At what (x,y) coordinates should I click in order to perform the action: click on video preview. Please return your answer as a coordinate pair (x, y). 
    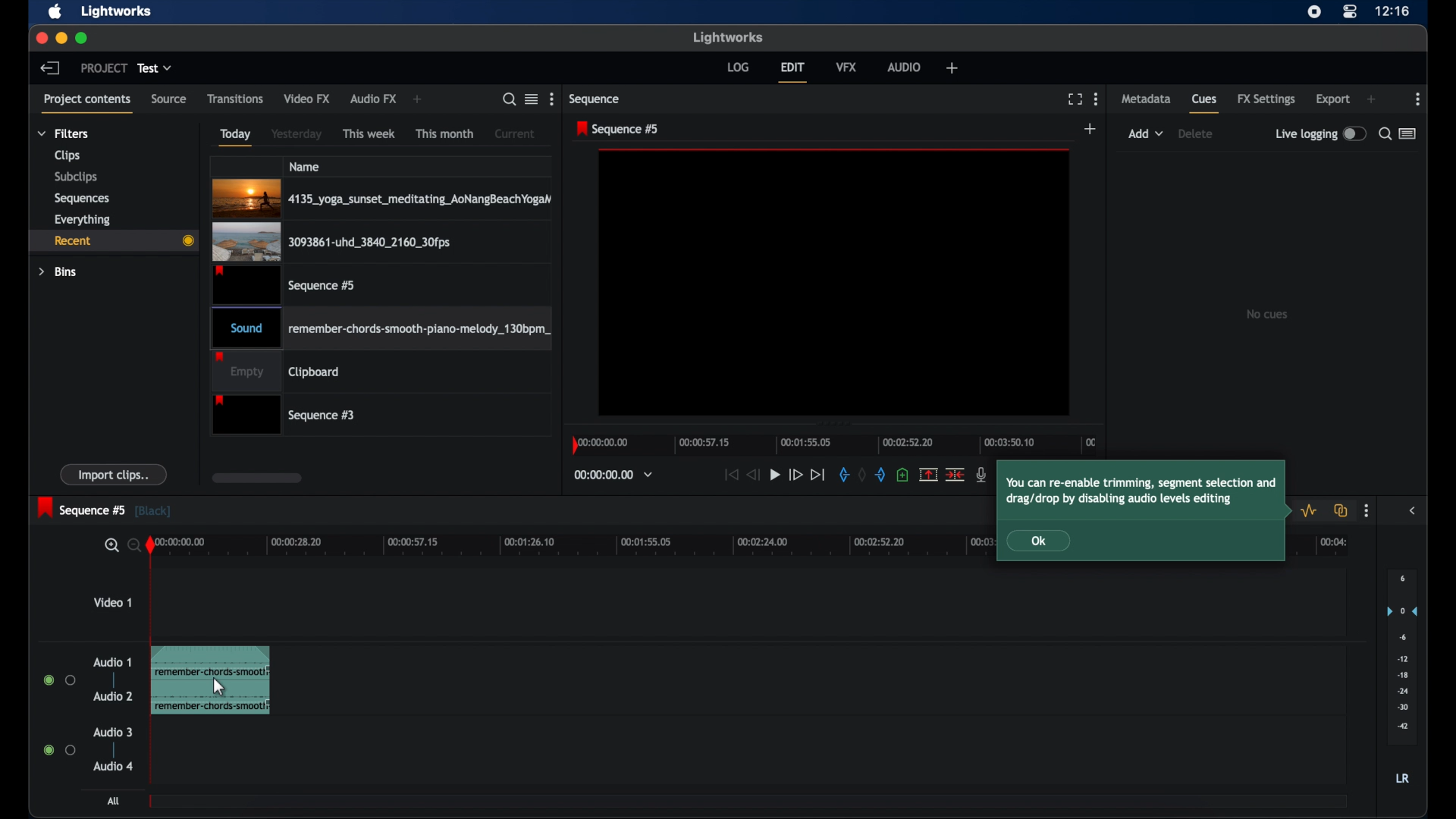
    Looking at the image, I should click on (834, 283).